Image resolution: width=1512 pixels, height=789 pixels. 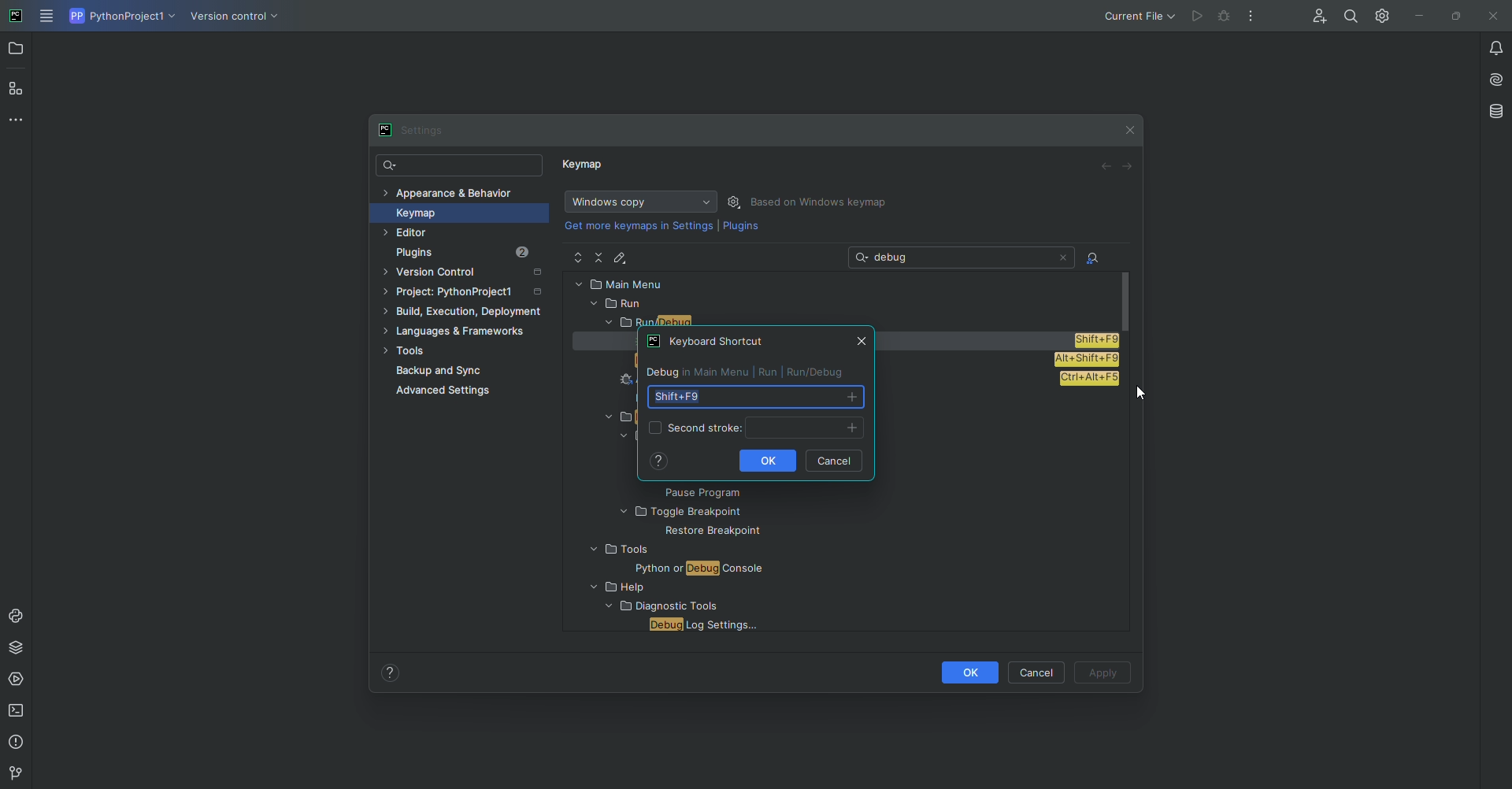 What do you see at coordinates (1093, 259) in the screenshot?
I see `Find Actions` at bounding box center [1093, 259].